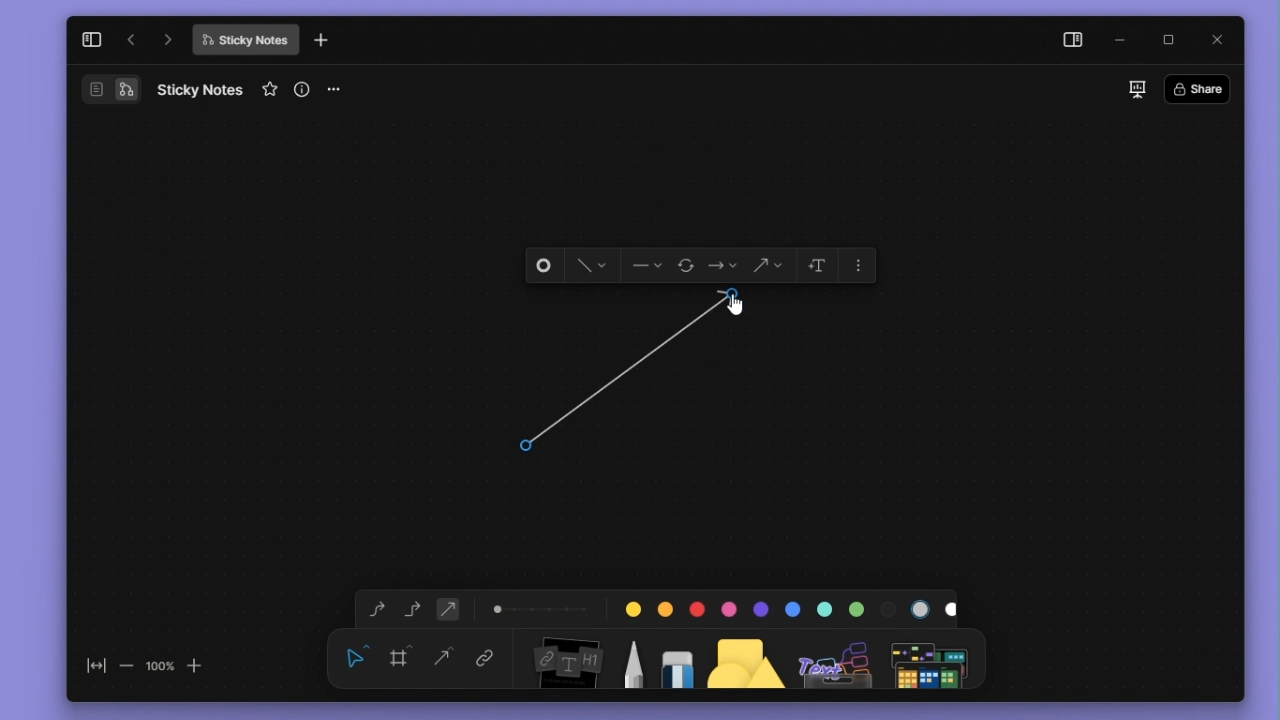  What do you see at coordinates (444, 659) in the screenshot?
I see `straight` at bounding box center [444, 659].